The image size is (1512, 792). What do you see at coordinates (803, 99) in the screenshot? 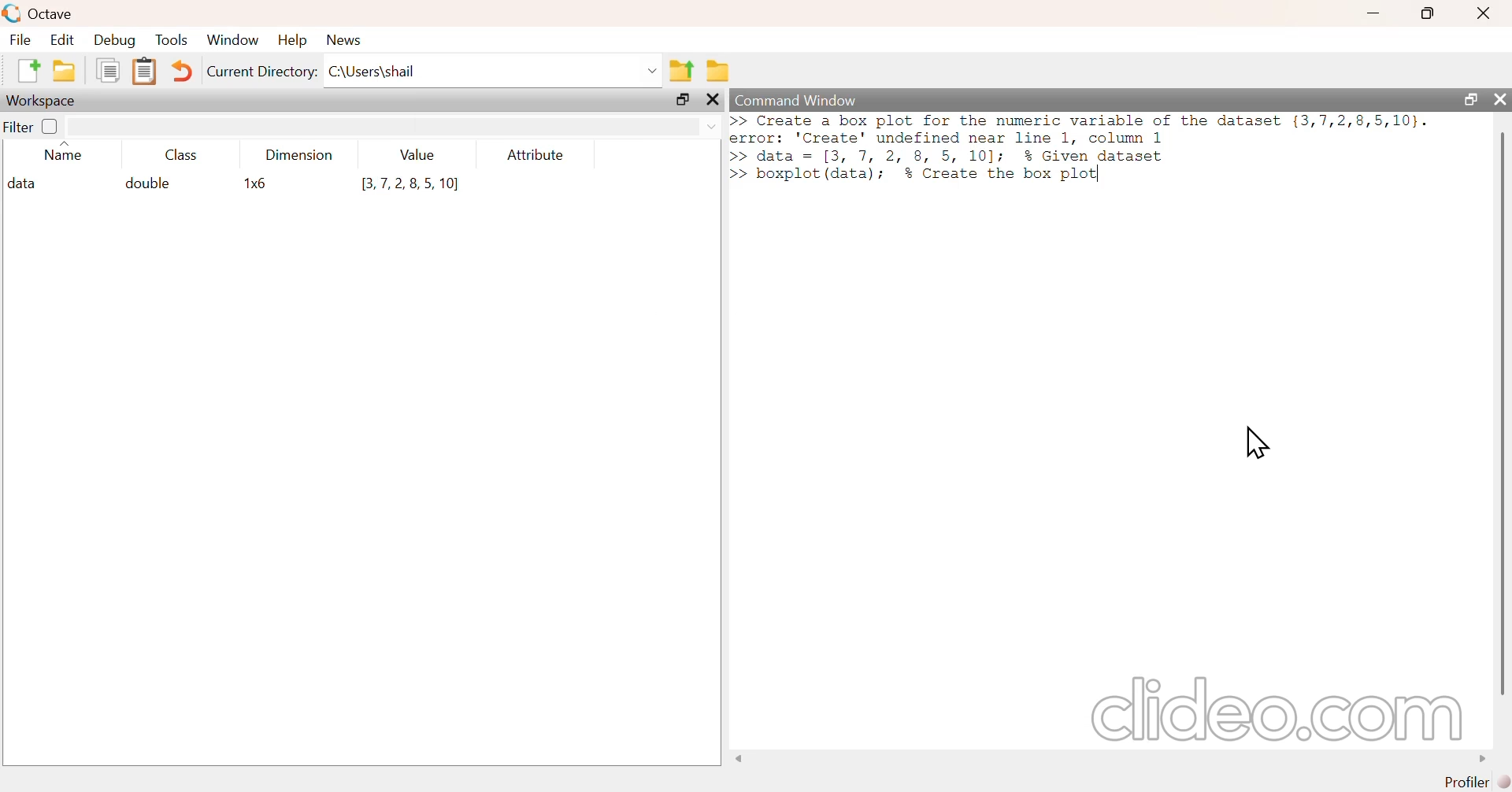
I see `command window` at bounding box center [803, 99].